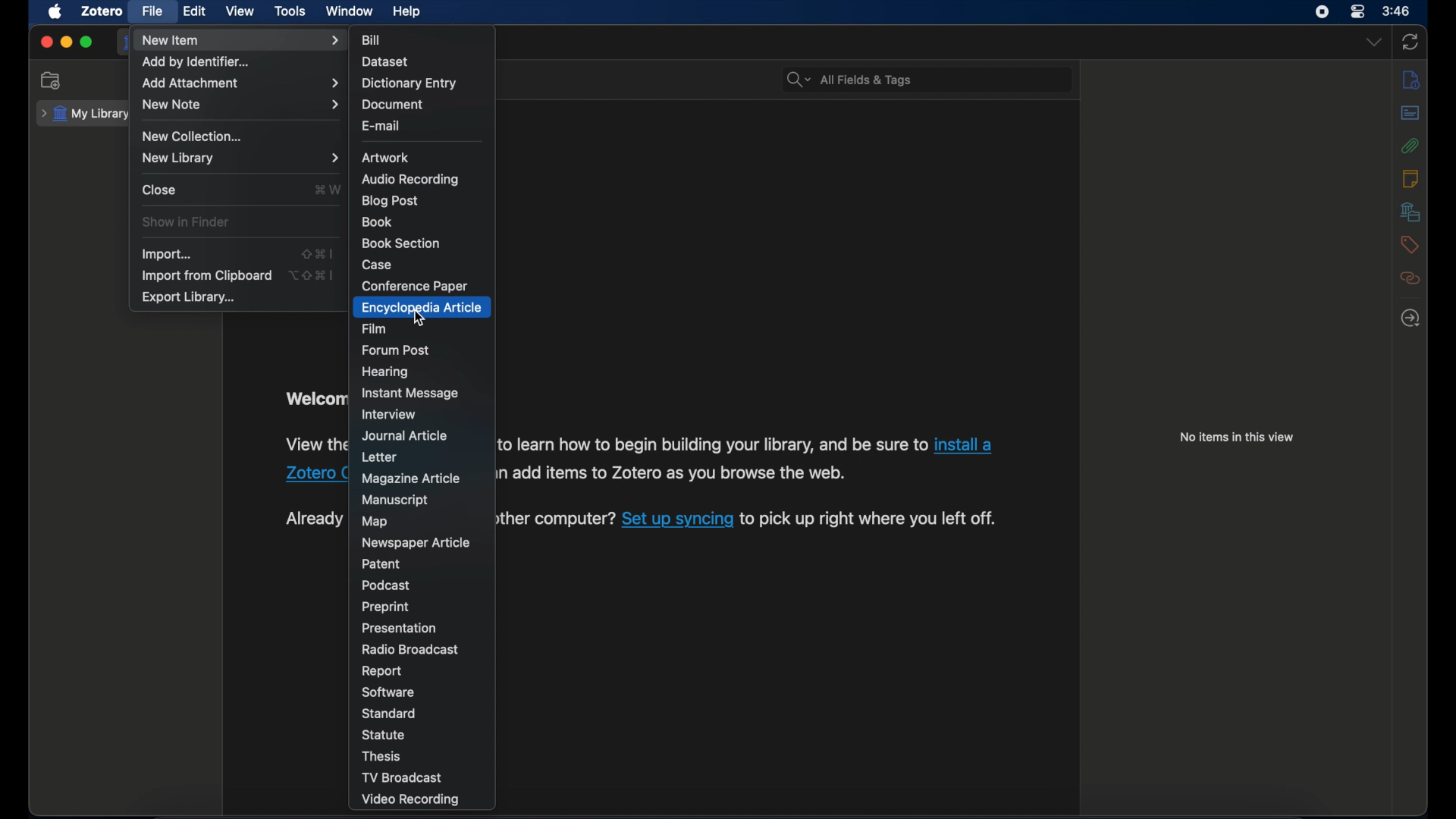  Describe the element at coordinates (409, 800) in the screenshot. I see `video recording` at that location.